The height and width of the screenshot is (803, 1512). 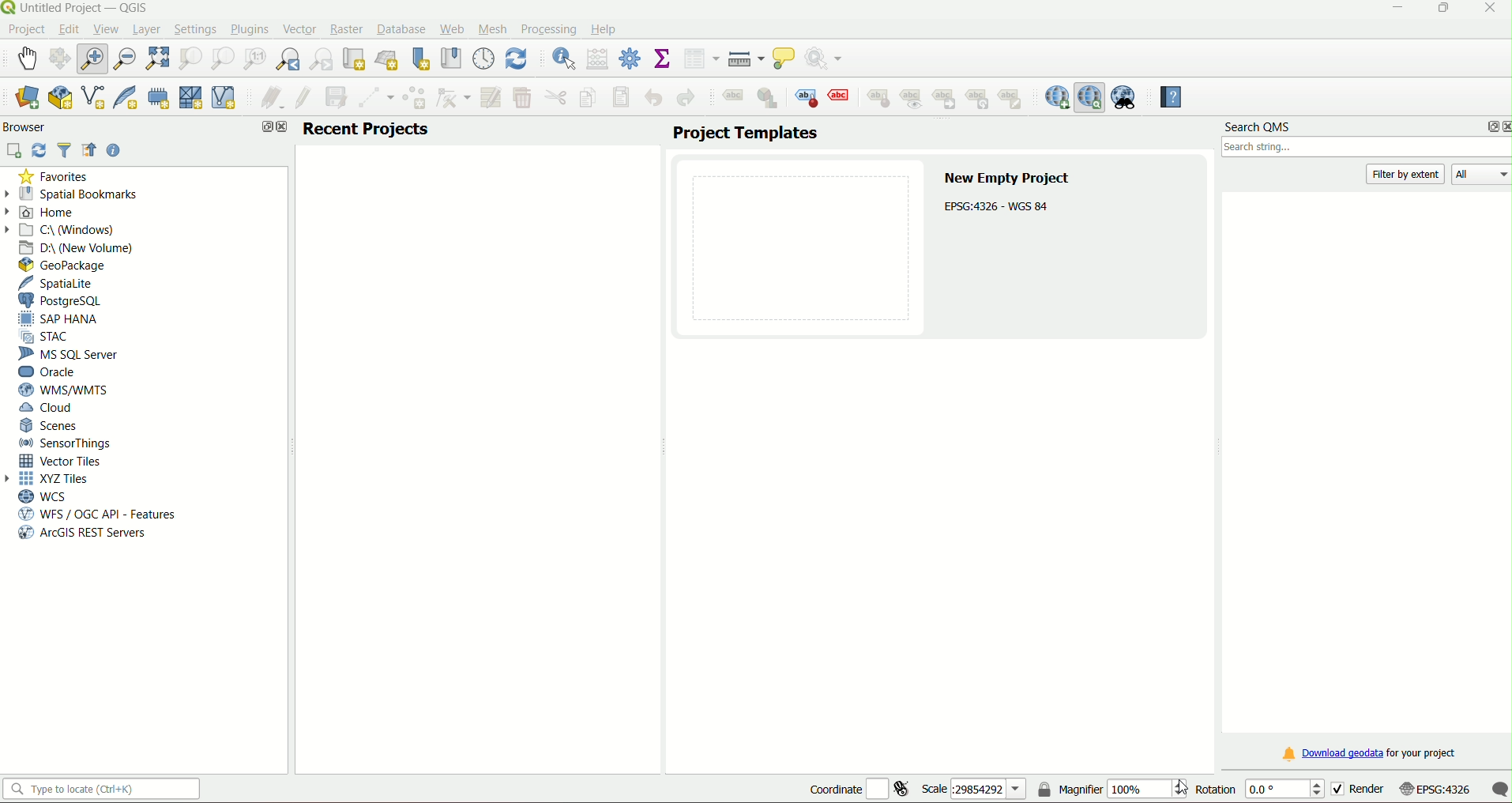 What do you see at coordinates (10, 210) in the screenshot?
I see `arrows` at bounding box center [10, 210].